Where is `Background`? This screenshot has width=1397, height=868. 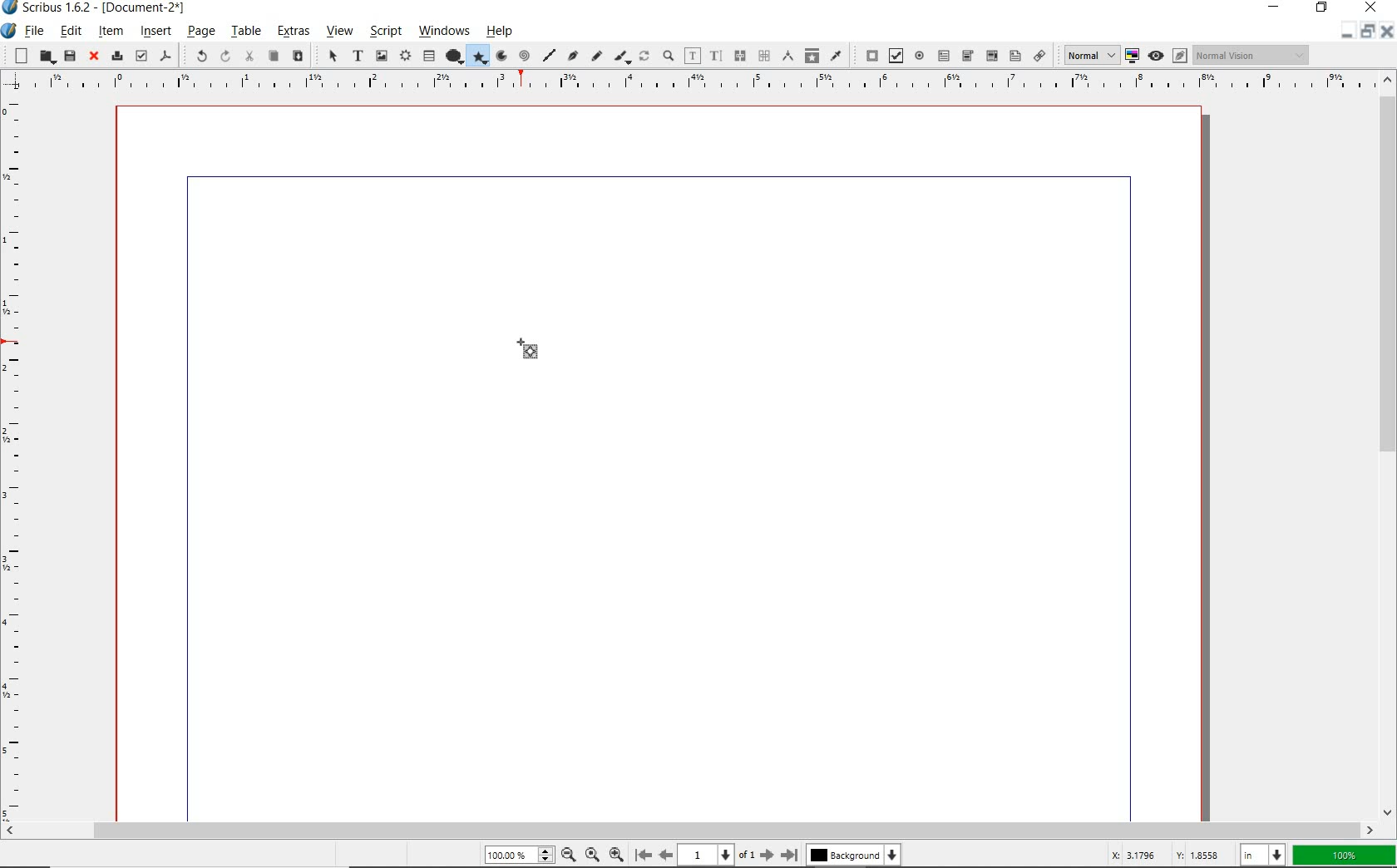
Background is located at coordinates (856, 855).